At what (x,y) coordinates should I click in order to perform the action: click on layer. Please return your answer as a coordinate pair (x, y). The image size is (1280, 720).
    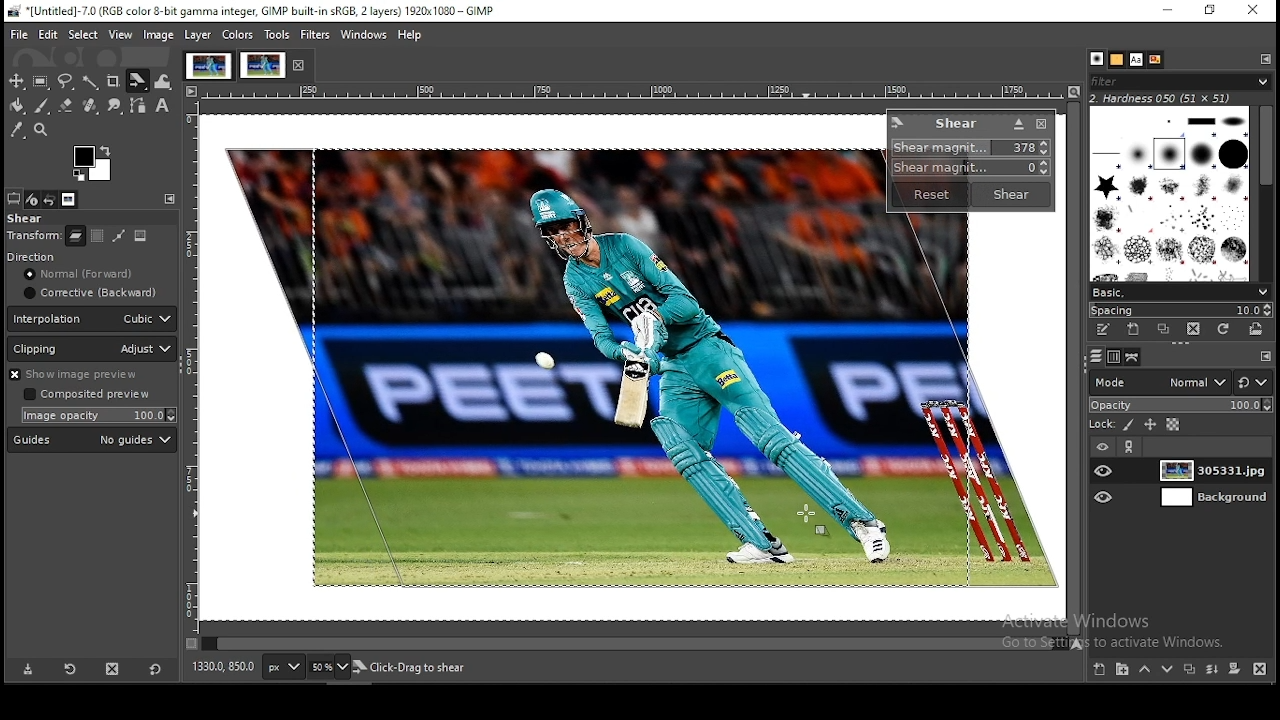
    Looking at the image, I should click on (197, 35).